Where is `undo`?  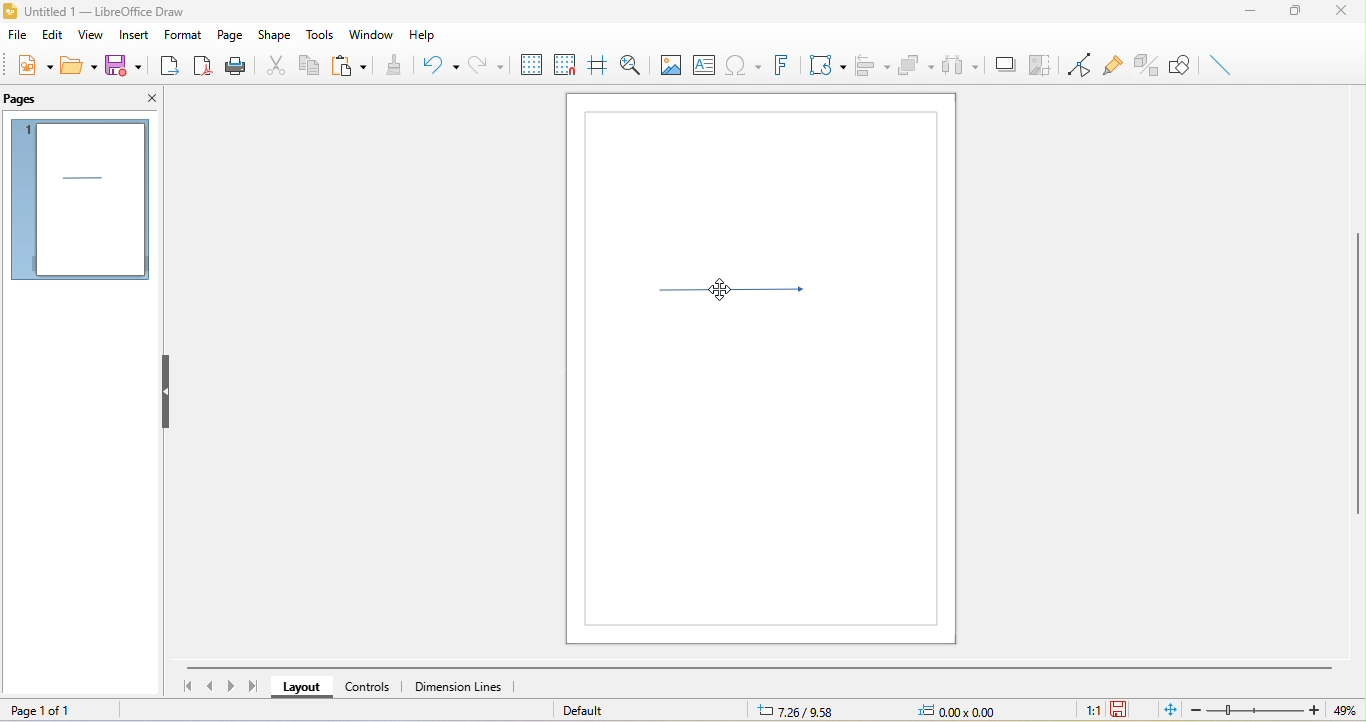
undo is located at coordinates (441, 67).